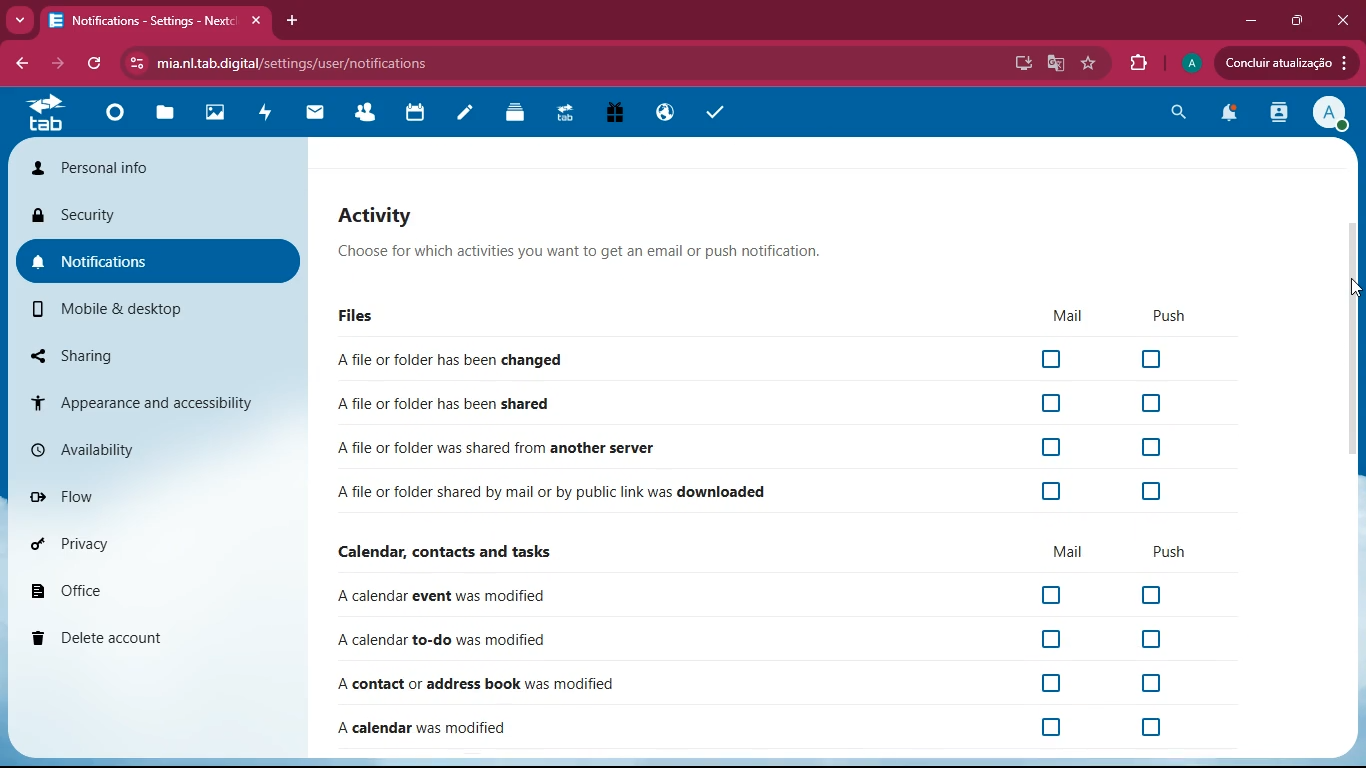 Image resolution: width=1366 pixels, height=768 pixels. What do you see at coordinates (1182, 112) in the screenshot?
I see `search` at bounding box center [1182, 112].